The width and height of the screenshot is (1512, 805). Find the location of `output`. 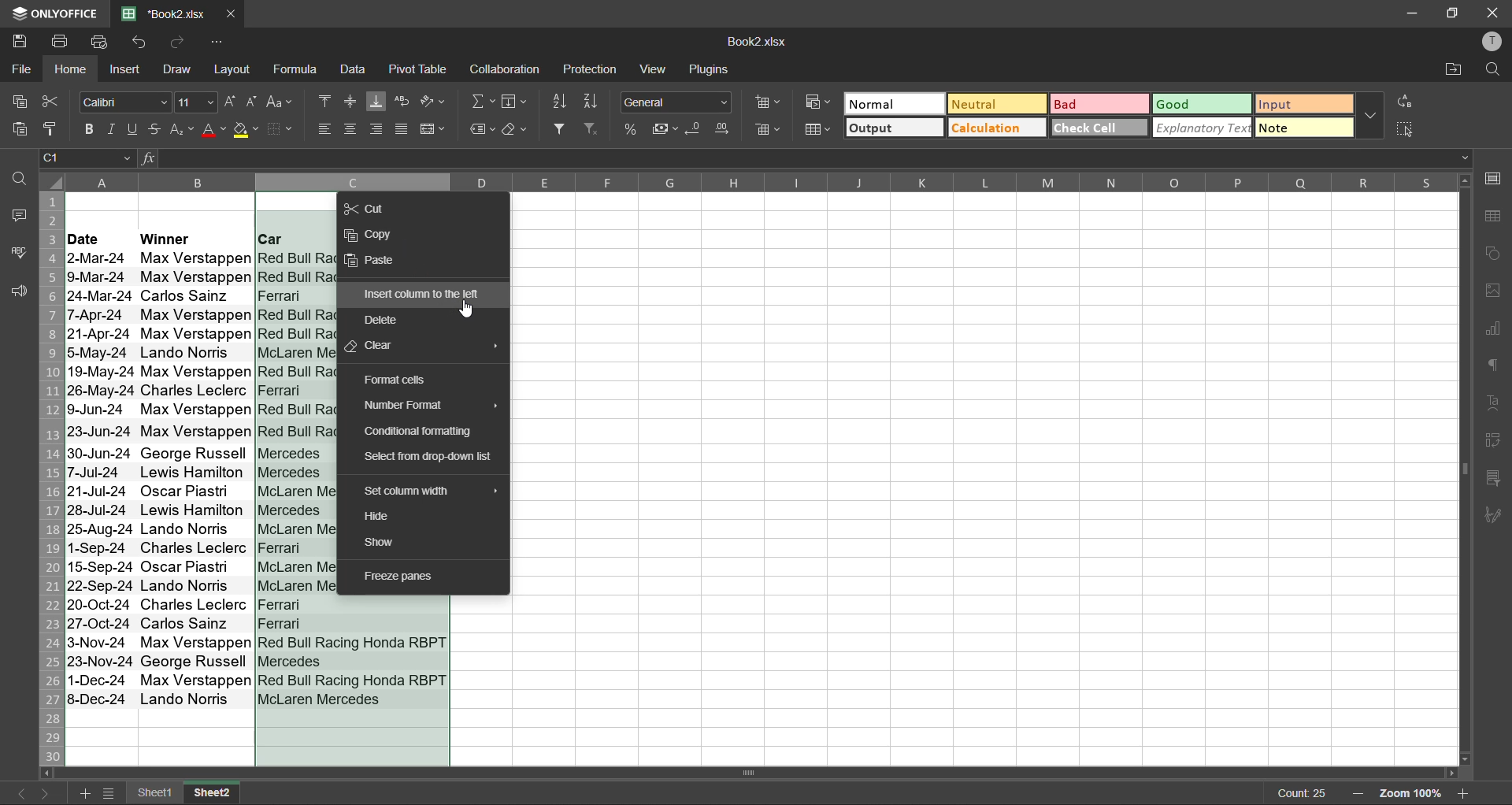

output is located at coordinates (893, 129).